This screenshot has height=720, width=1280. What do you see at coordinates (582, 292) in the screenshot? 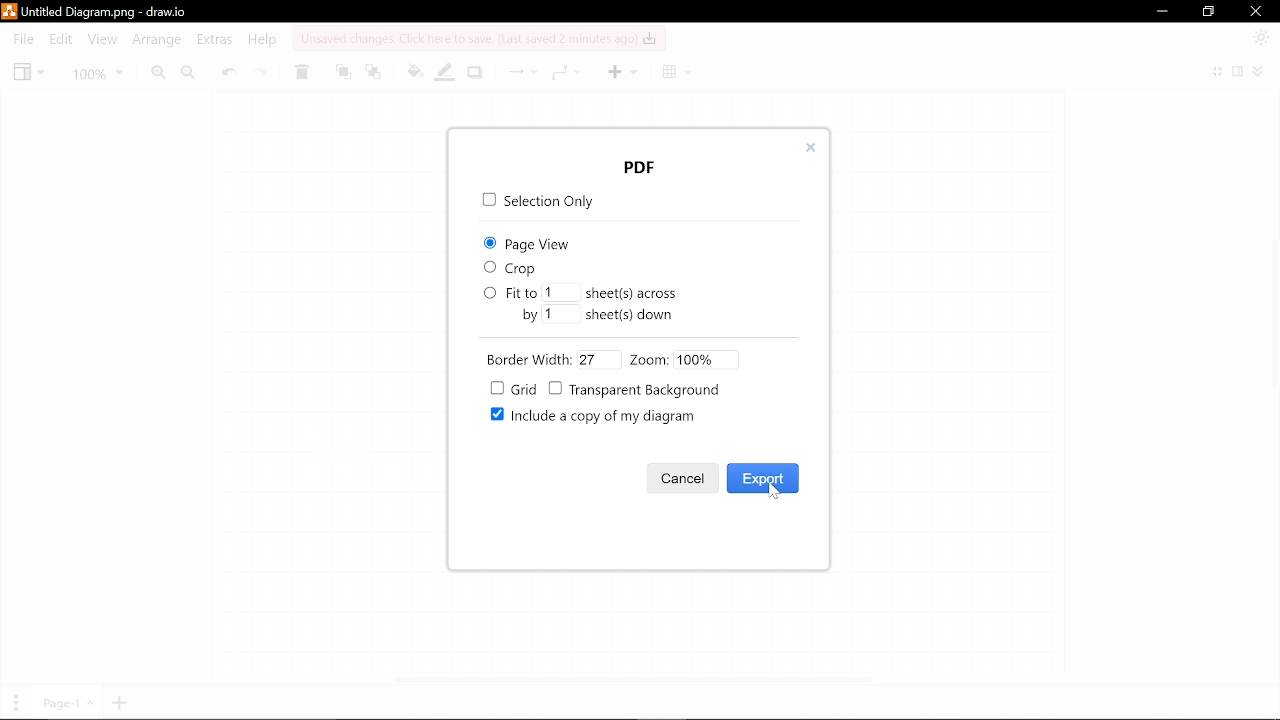
I see `Fit to number of sheet(s) across` at bounding box center [582, 292].